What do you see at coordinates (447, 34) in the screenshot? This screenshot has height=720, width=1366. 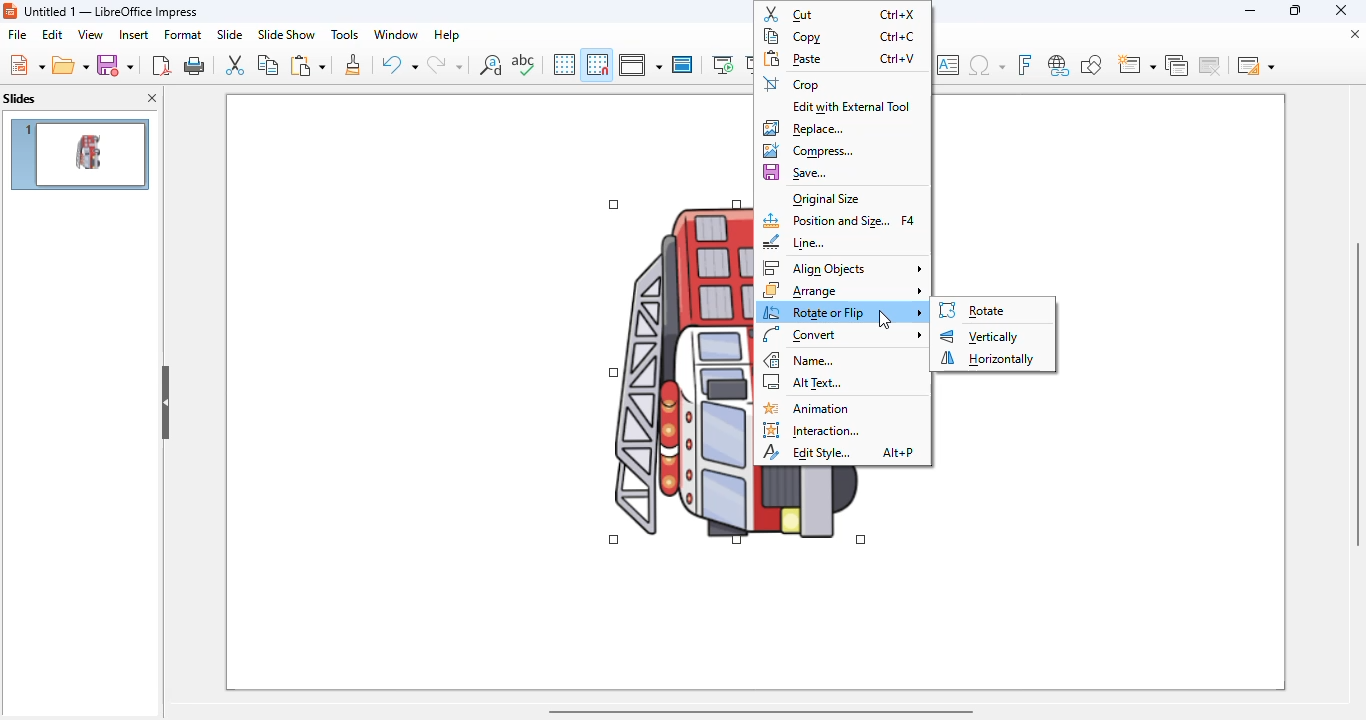 I see `help` at bounding box center [447, 34].